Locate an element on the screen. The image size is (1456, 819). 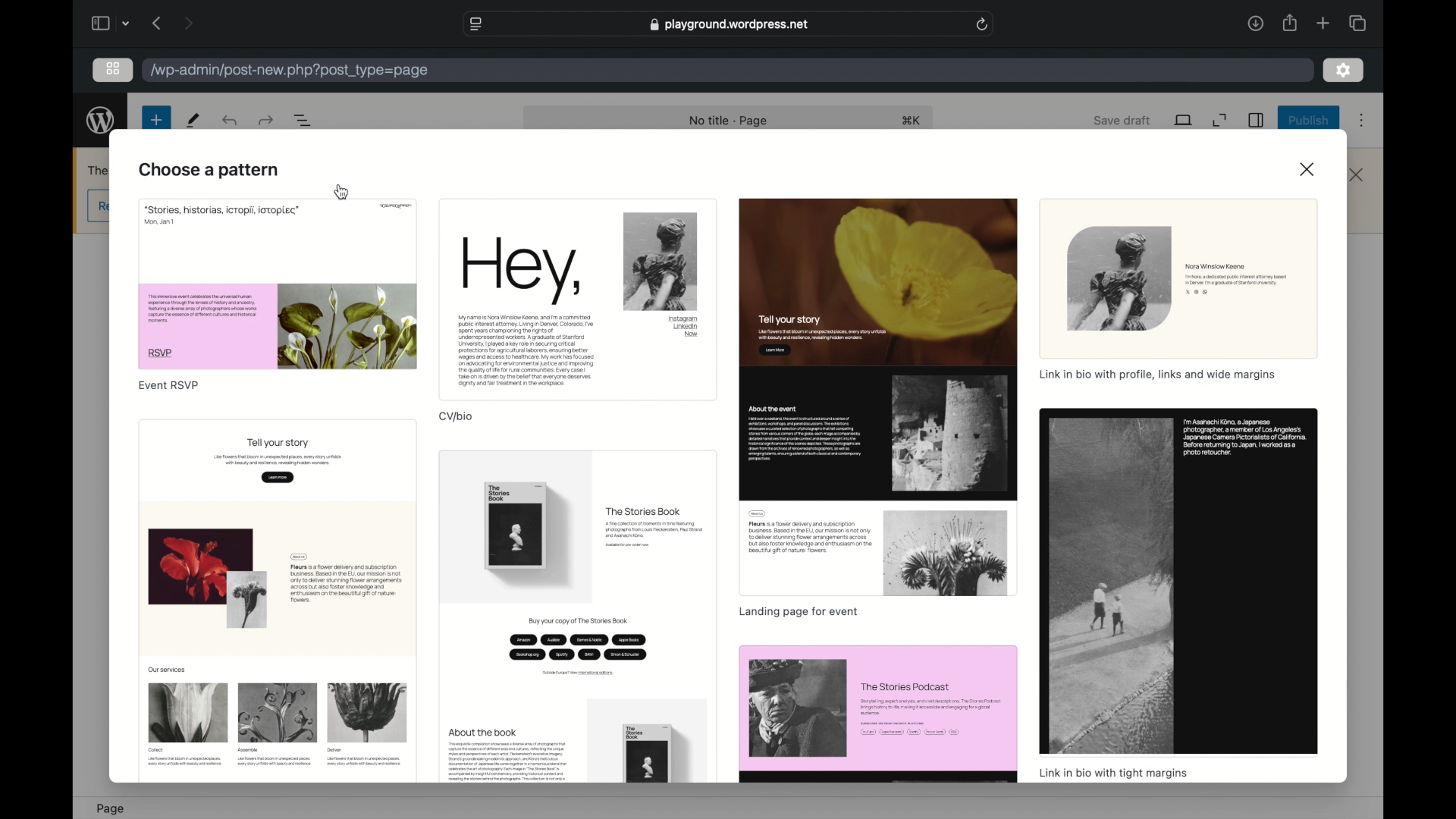
save draft is located at coordinates (1122, 120).